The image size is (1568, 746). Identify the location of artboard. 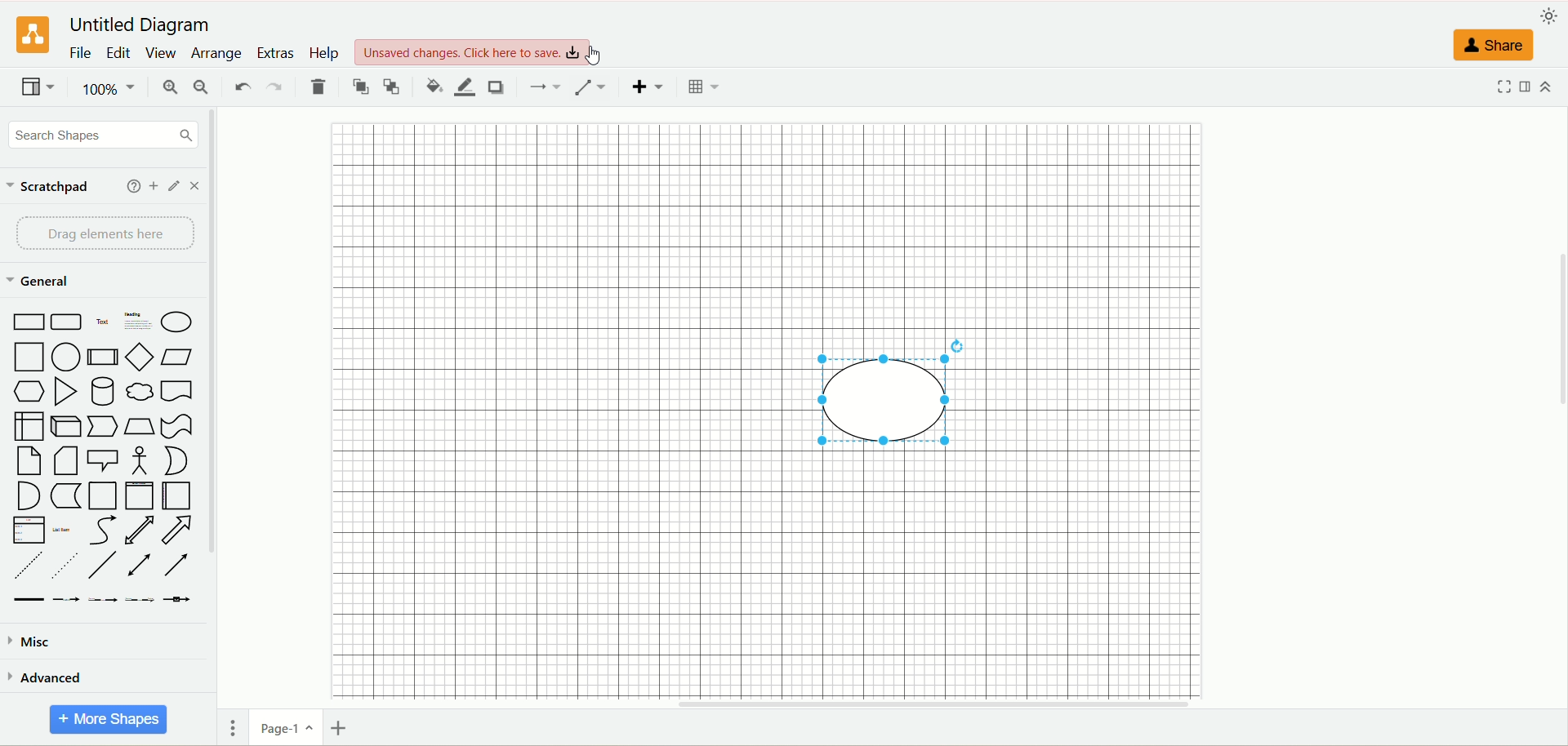
(788, 408).